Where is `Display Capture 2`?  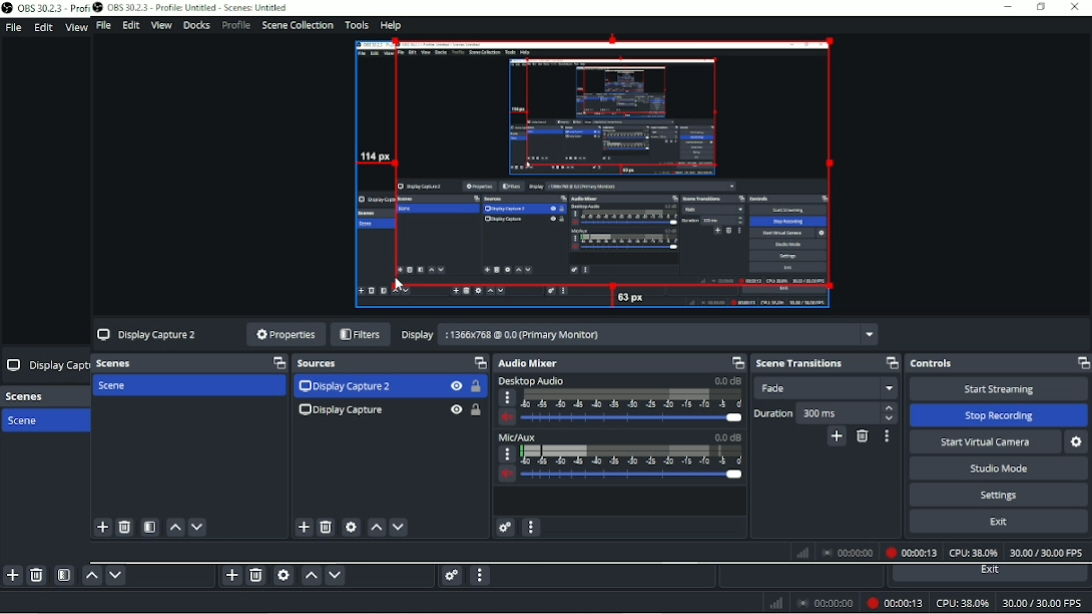 Display Capture 2 is located at coordinates (149, 334).